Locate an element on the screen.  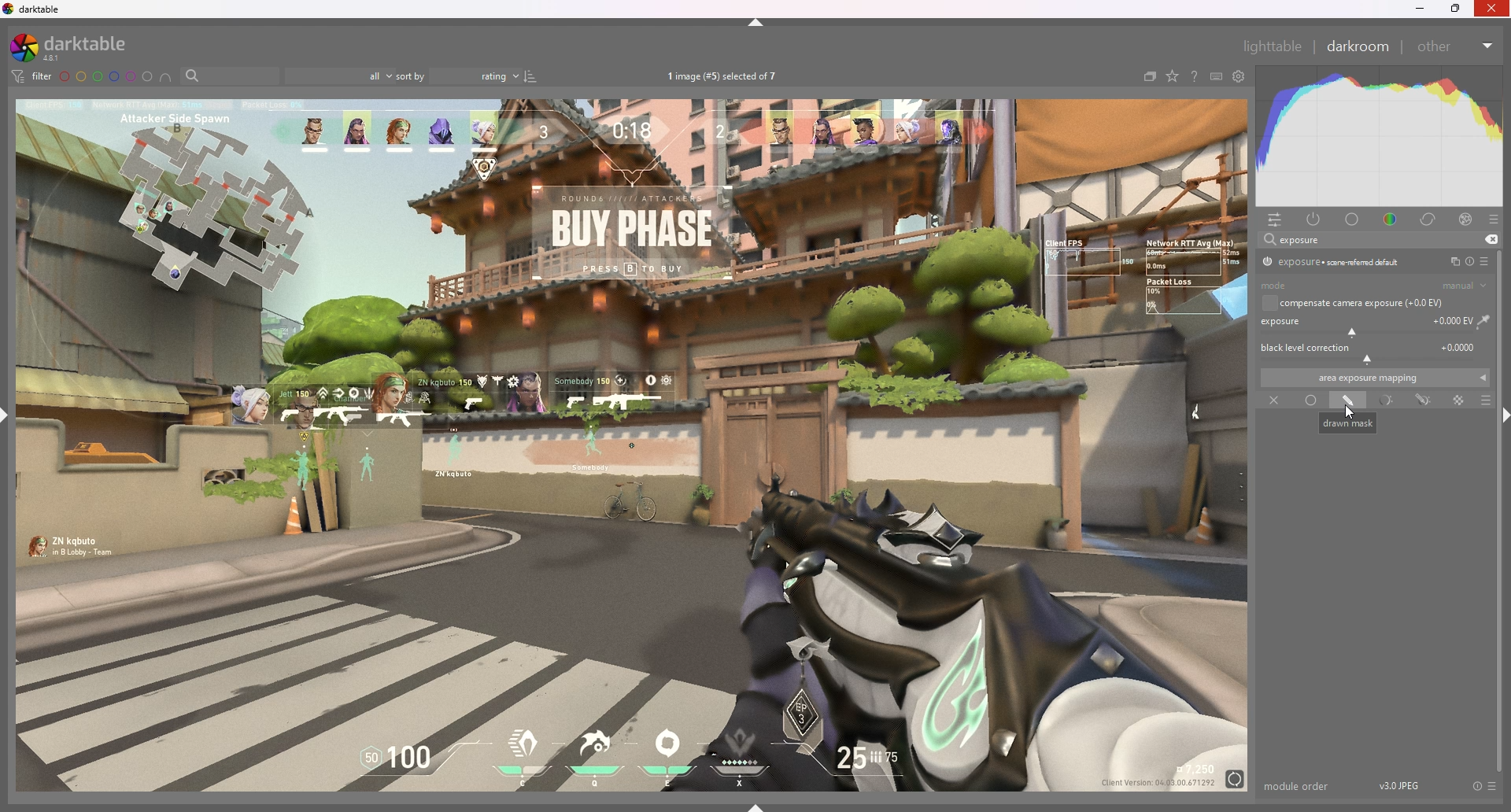
help is located at coordinates (1192, 76).